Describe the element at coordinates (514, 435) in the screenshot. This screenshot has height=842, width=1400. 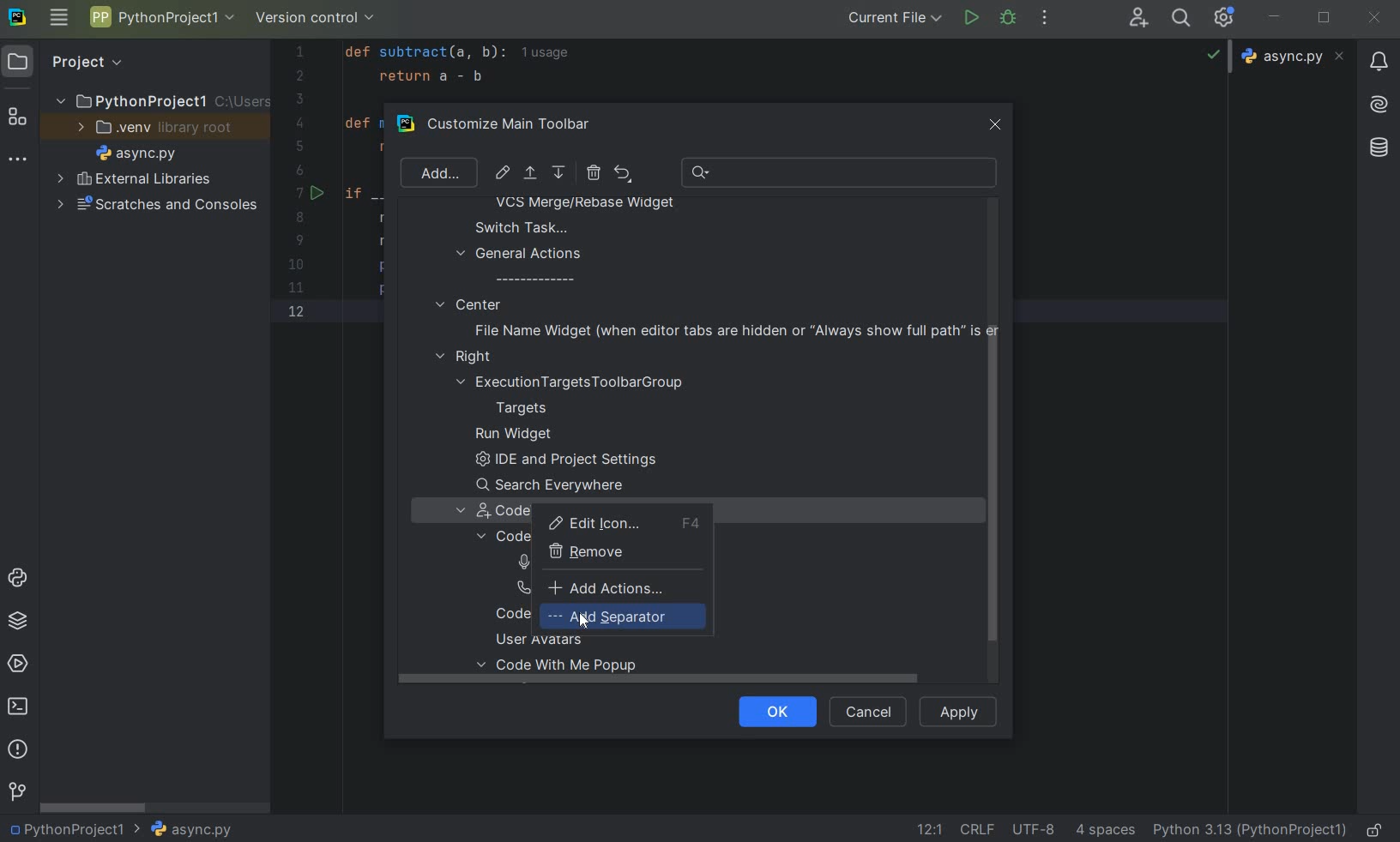
I see `run widget` at that location.